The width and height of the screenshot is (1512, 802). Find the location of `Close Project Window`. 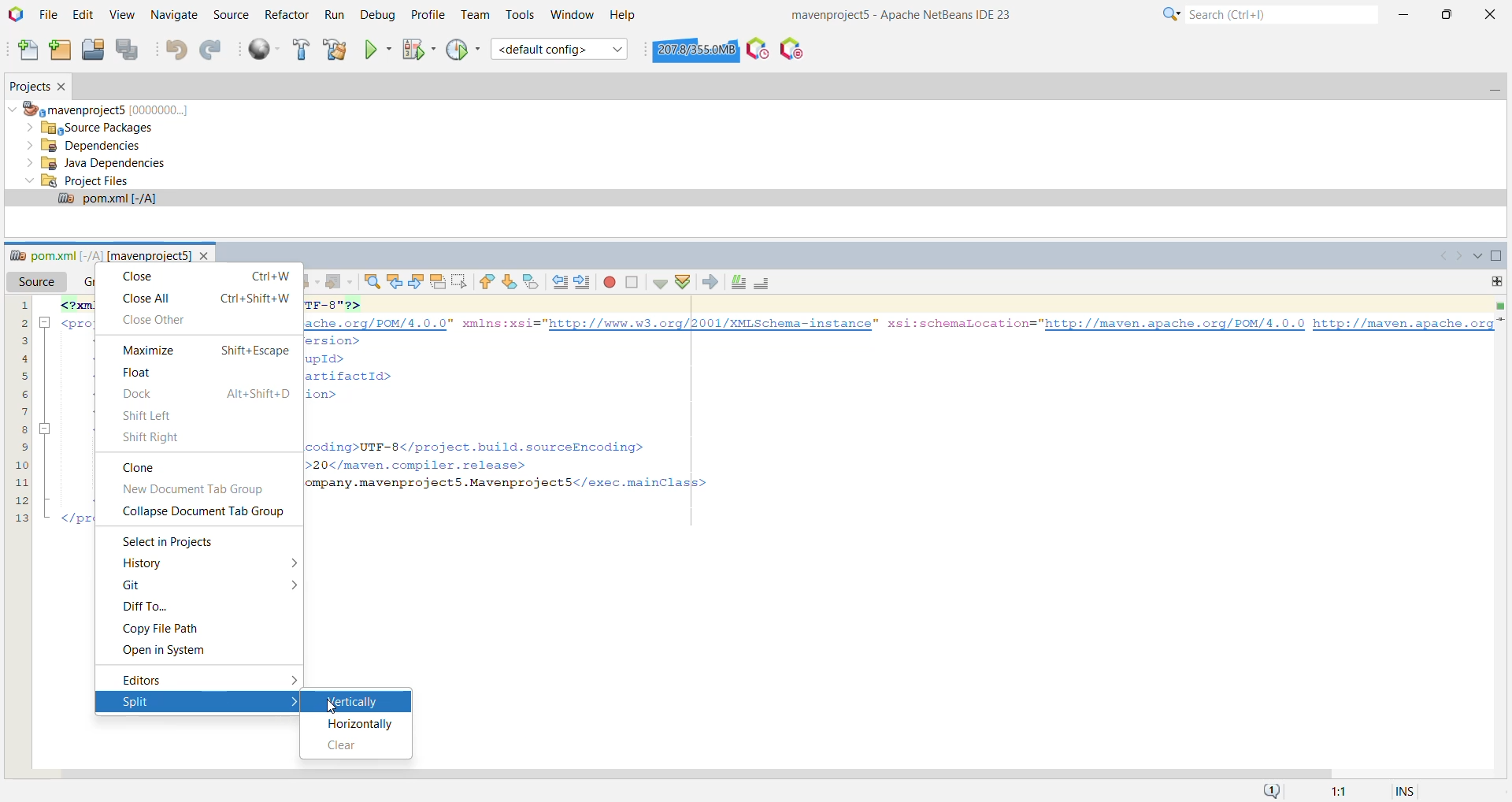

Close Project Window is located at coordinates (65, 87).